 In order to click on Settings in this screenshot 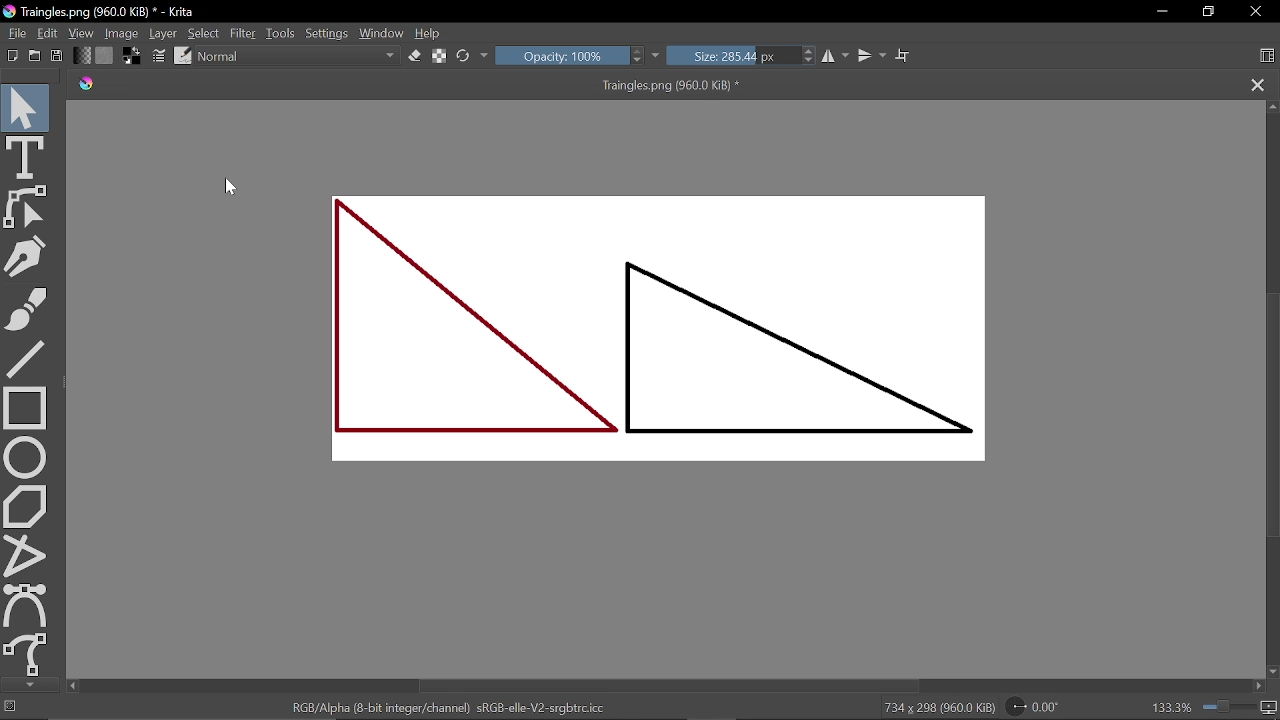, I will do `click(327, 34)`.